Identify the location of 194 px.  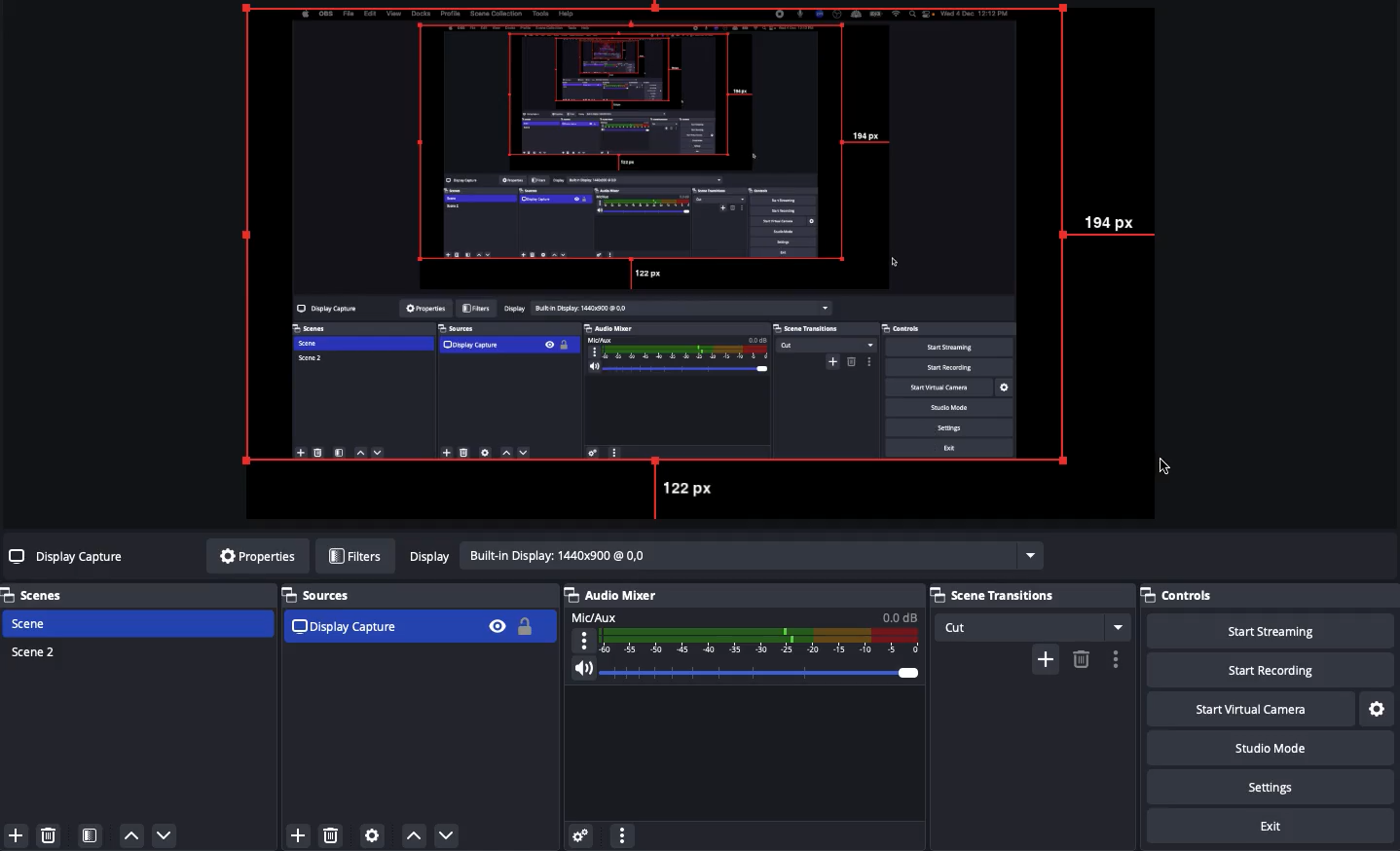
(1115, 223).